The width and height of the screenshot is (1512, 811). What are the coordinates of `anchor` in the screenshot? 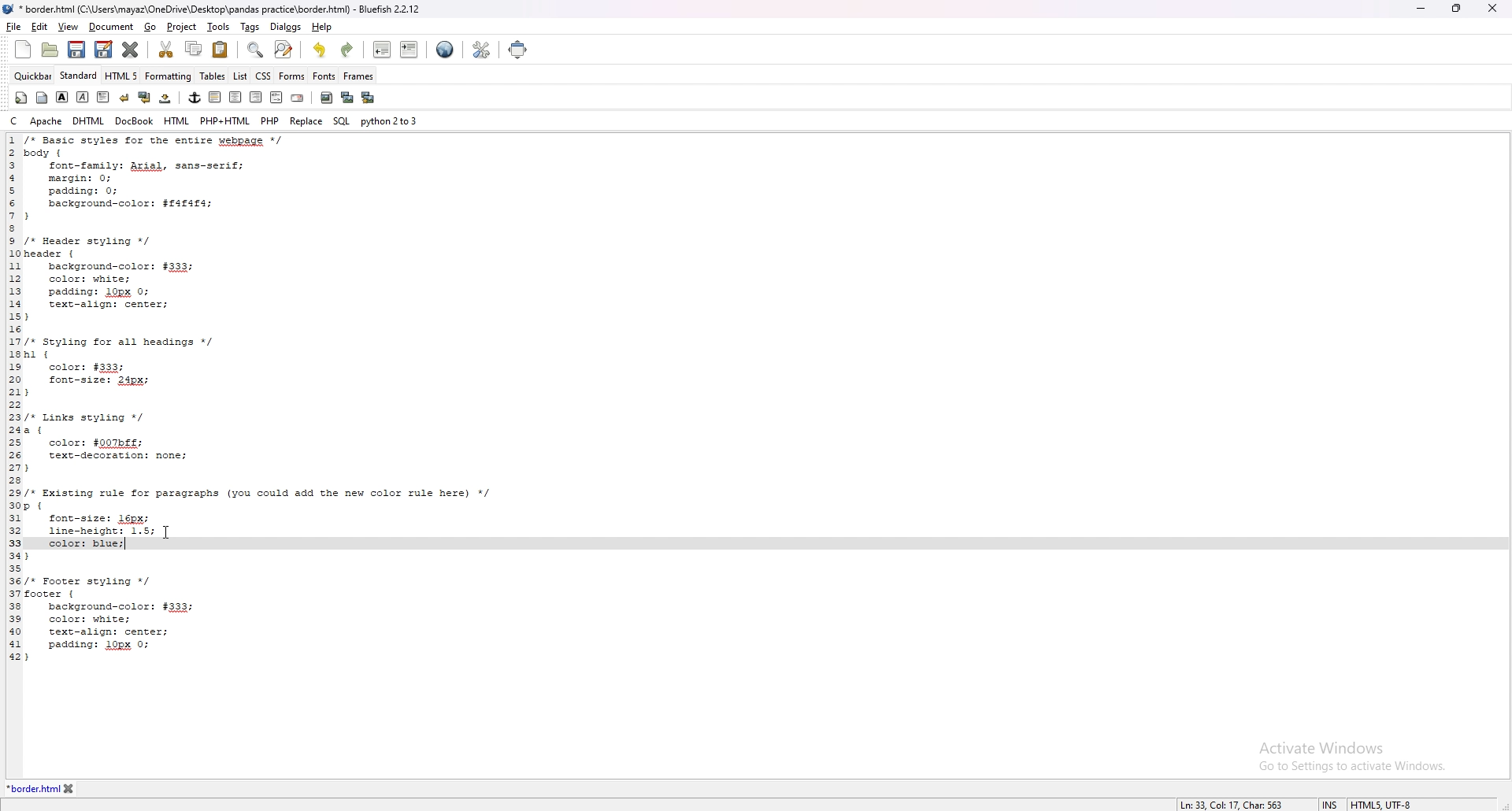 It's located at (195, 98).